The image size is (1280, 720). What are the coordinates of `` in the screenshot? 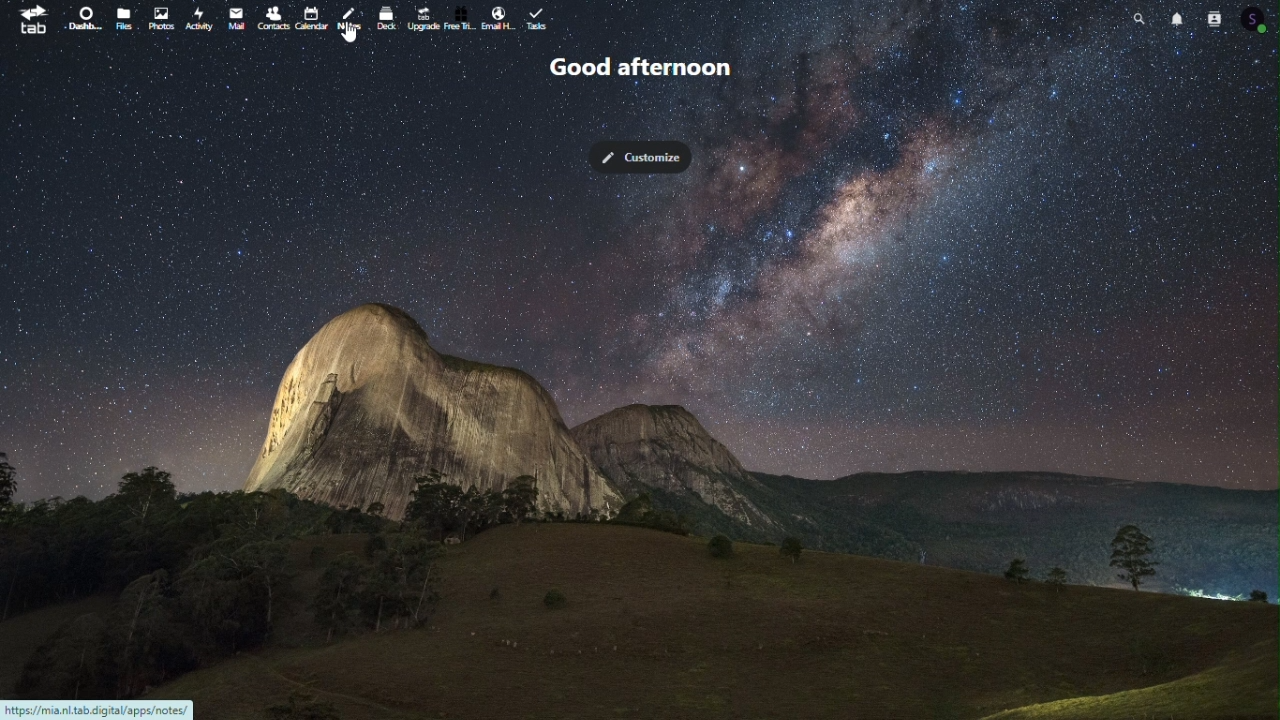 It's located at (235, 15).